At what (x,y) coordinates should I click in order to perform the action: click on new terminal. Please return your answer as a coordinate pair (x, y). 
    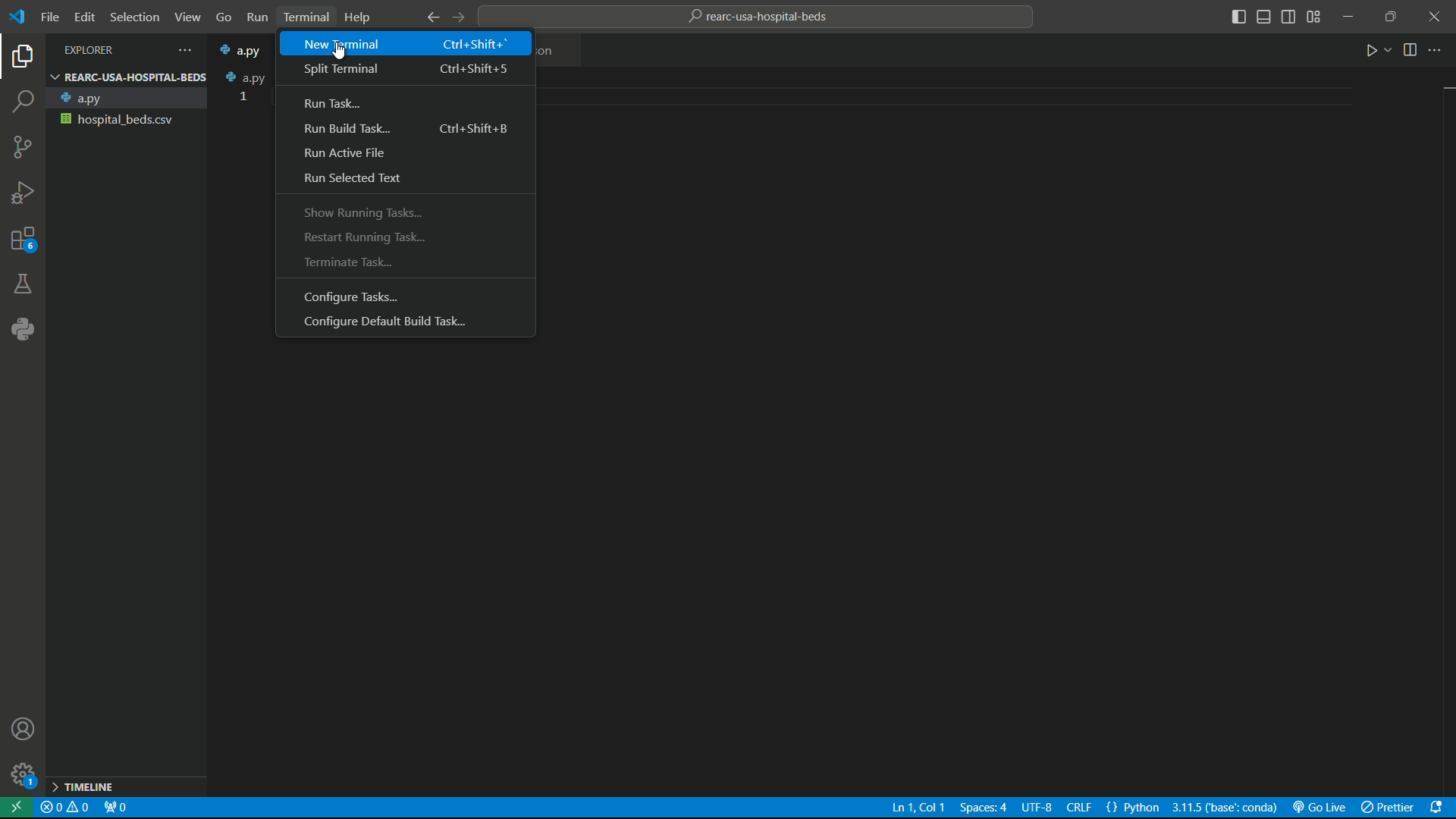
    Looking at the image, I should click on (406, 44).